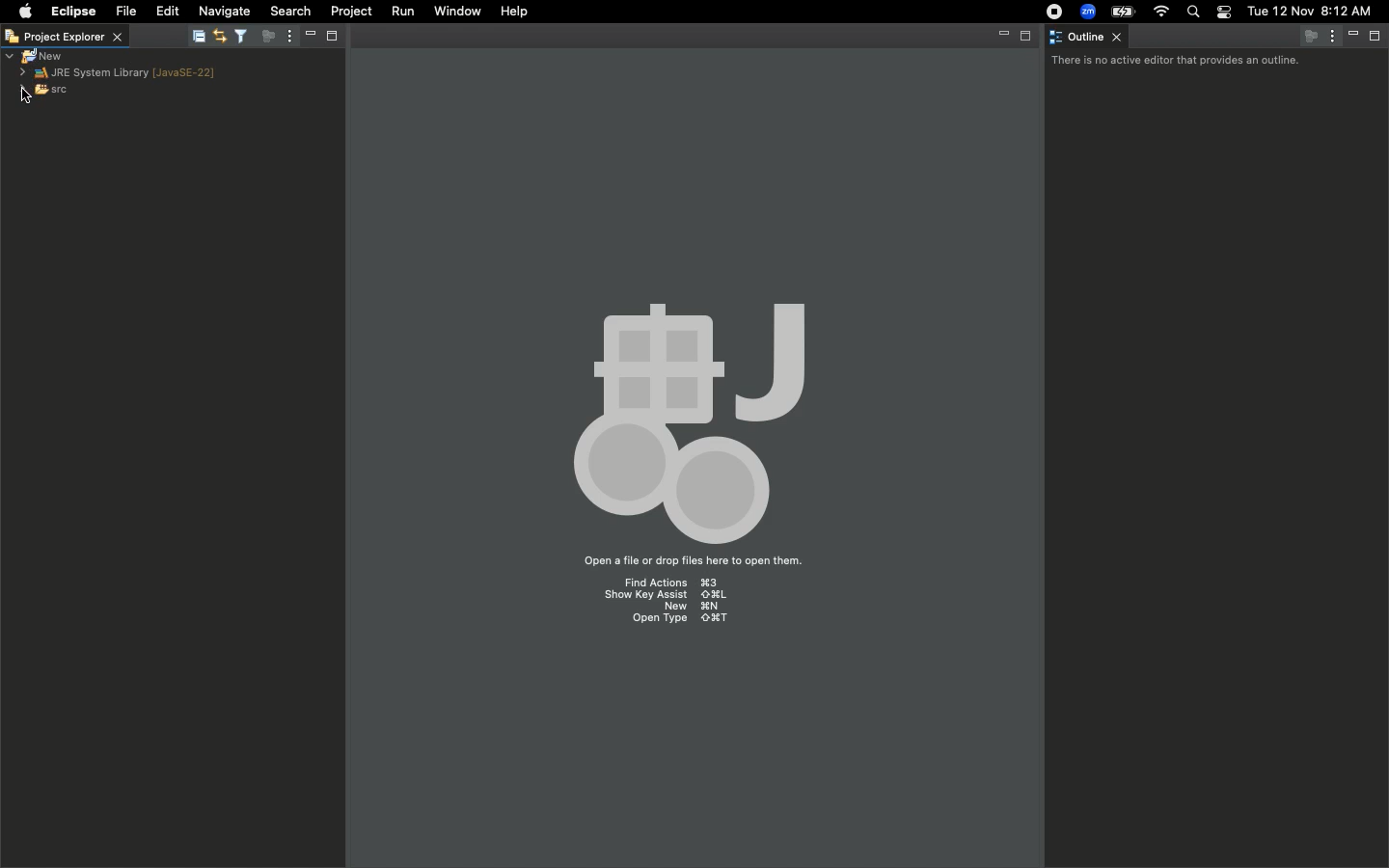 The image size is (1389, 868). I want to click on Find actions, so click(669, 581).